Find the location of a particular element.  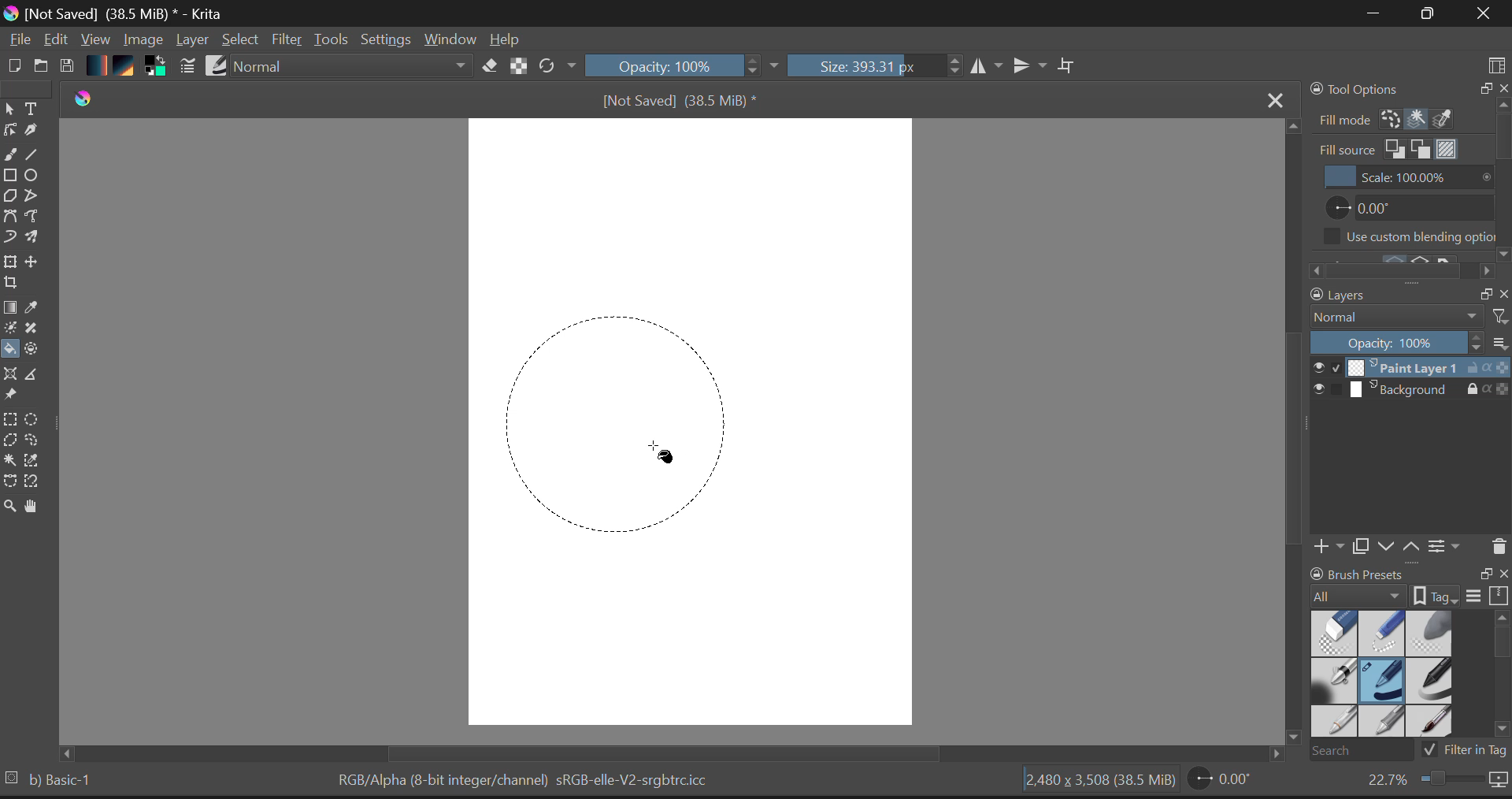

Enclose and Fill is located at coordinates (37, 349).